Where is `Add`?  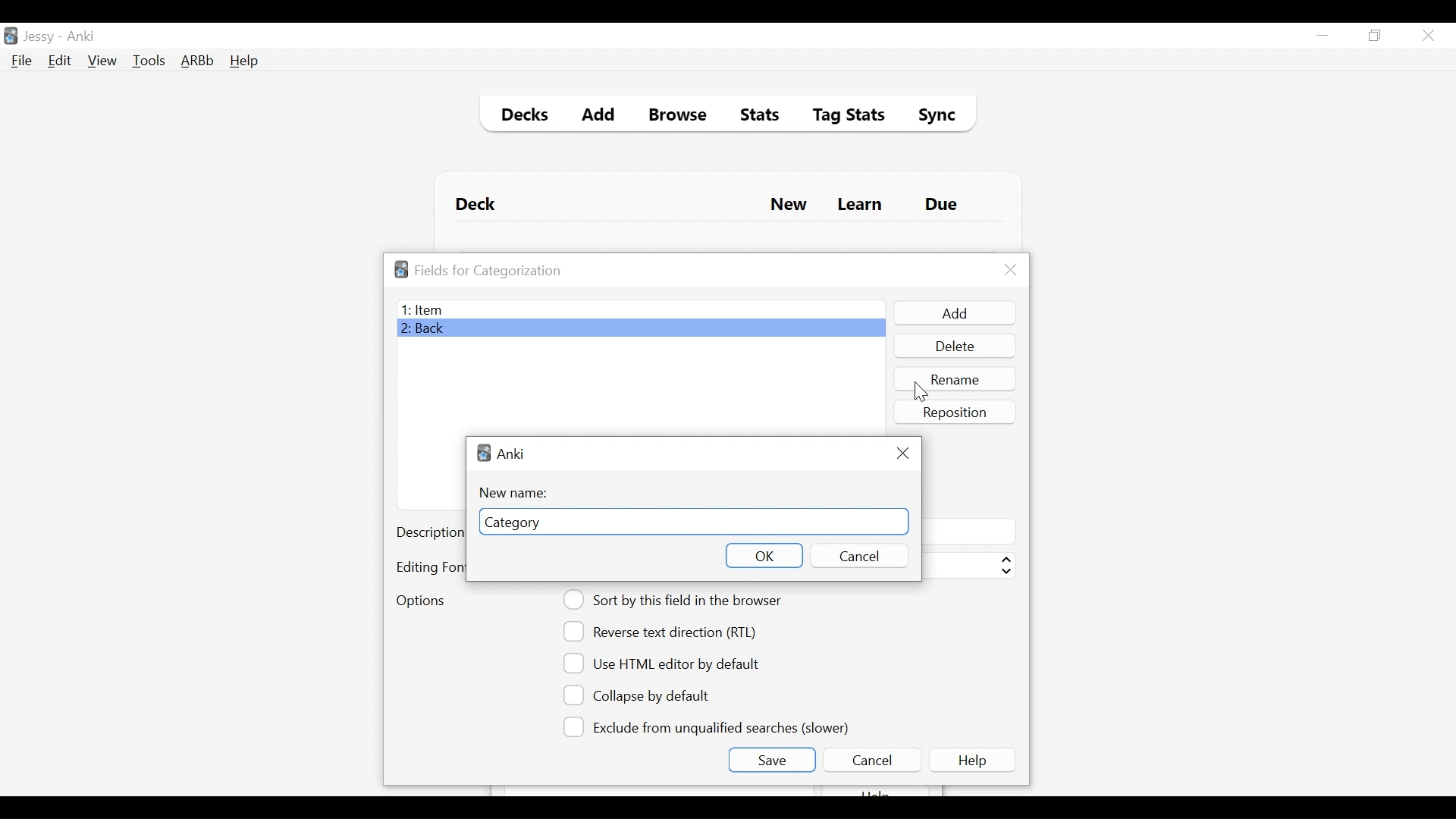
Add is located at coordinates (599, 117).